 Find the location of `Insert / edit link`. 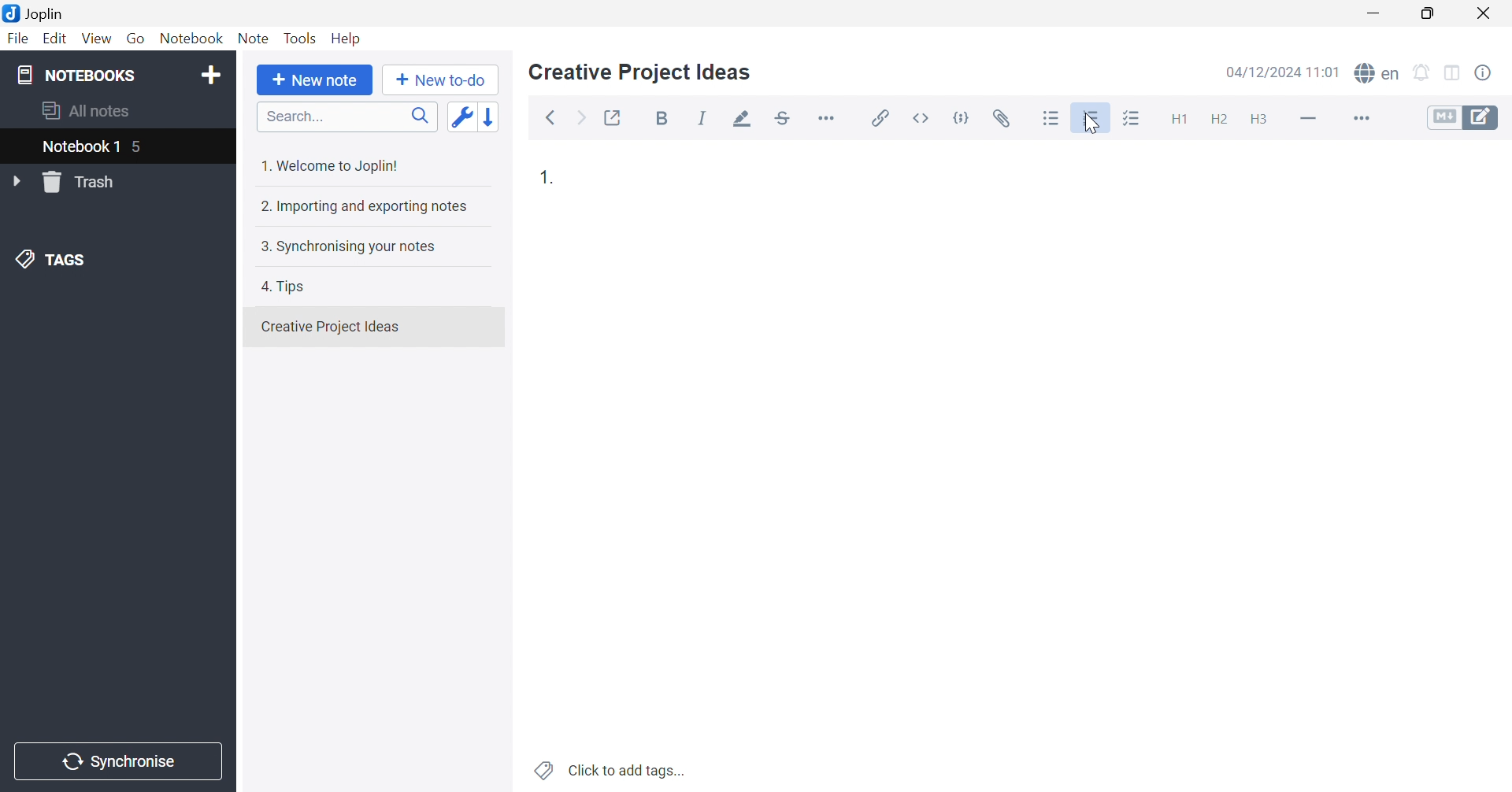

Insert / edit link is located at coordinates (881, 117).